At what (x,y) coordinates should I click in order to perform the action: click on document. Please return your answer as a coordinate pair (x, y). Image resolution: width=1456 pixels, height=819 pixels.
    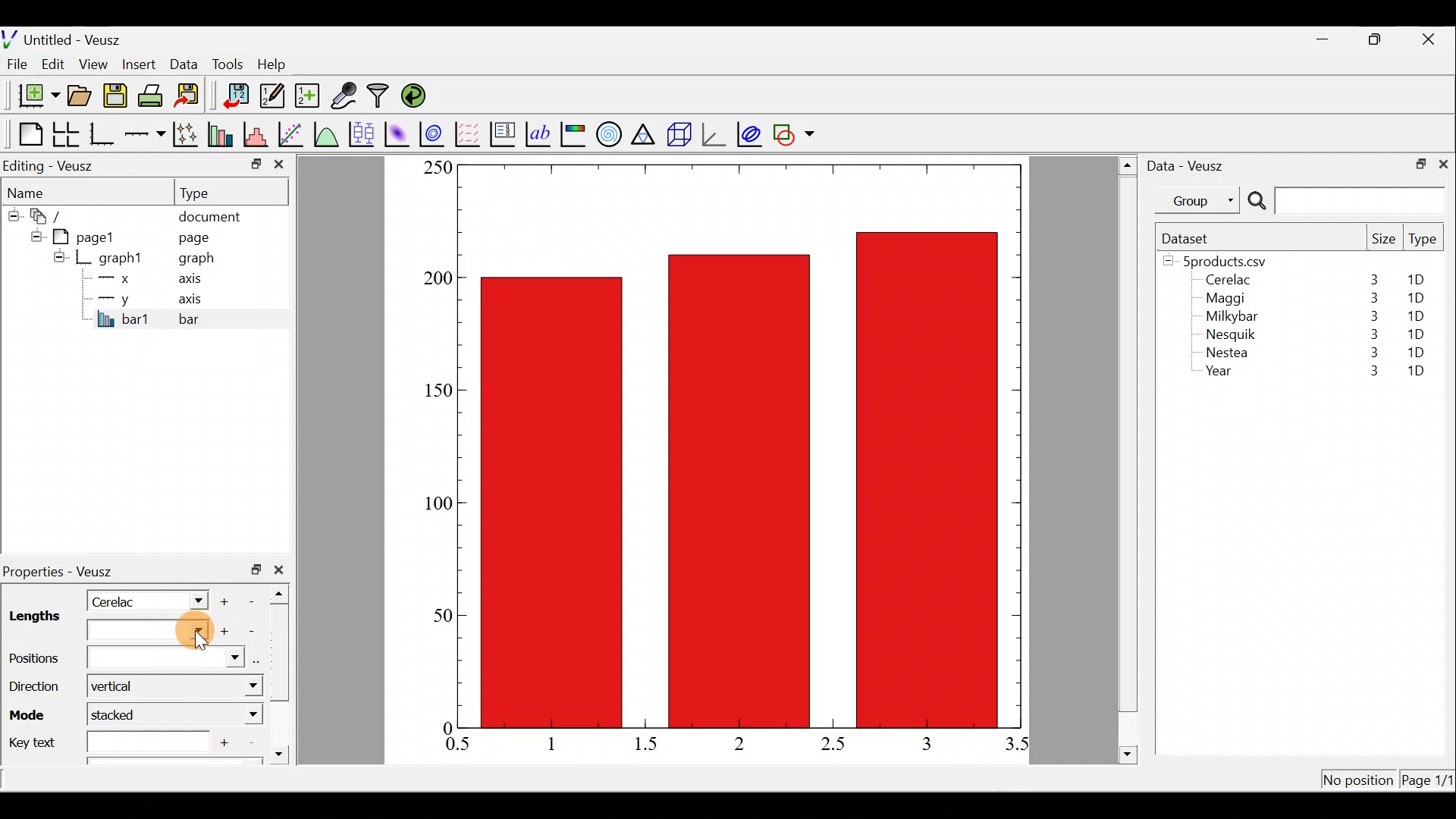
    Looking at the image, I should click on (209, 214).